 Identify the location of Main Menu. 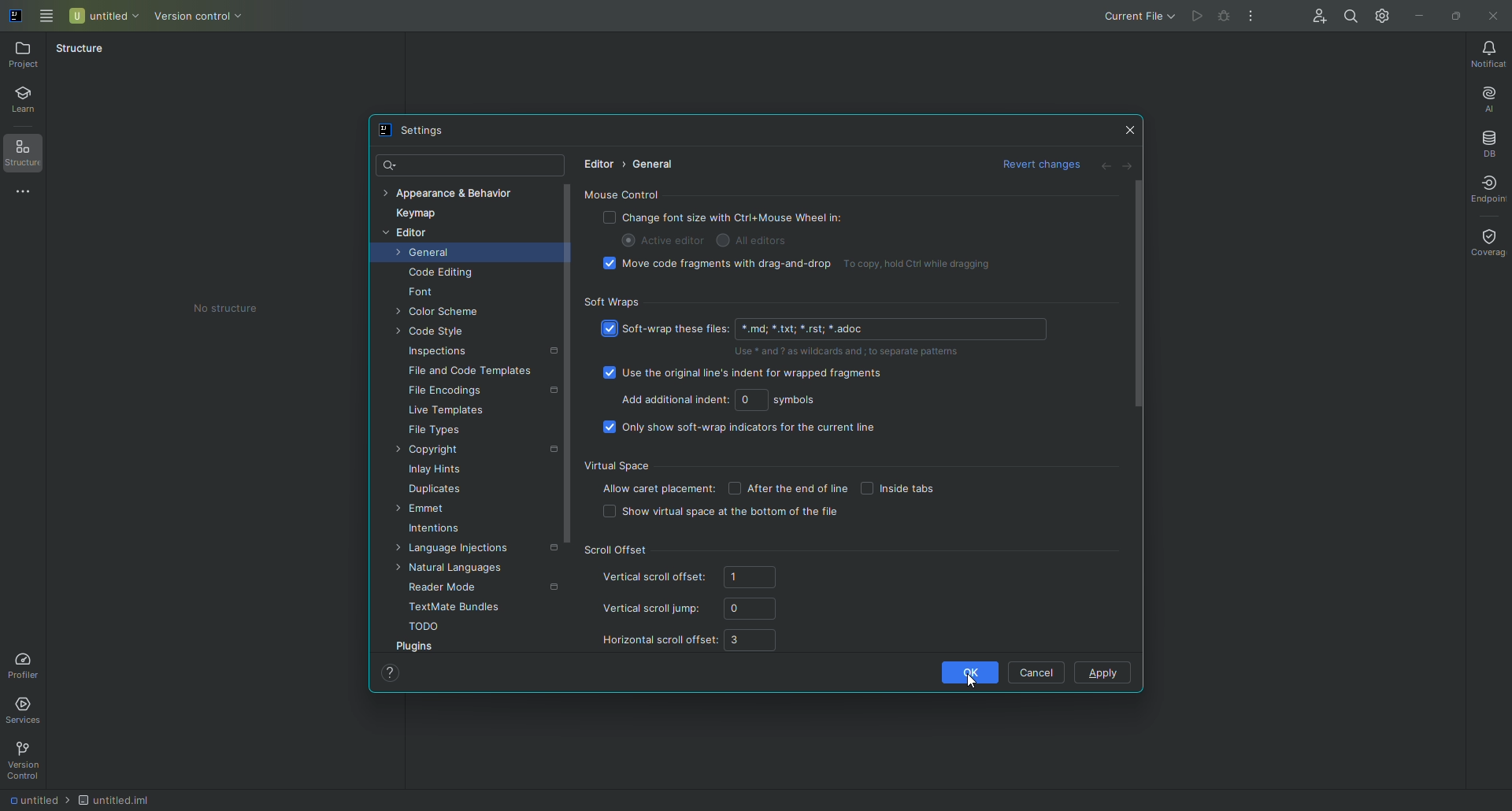
(50, 15).